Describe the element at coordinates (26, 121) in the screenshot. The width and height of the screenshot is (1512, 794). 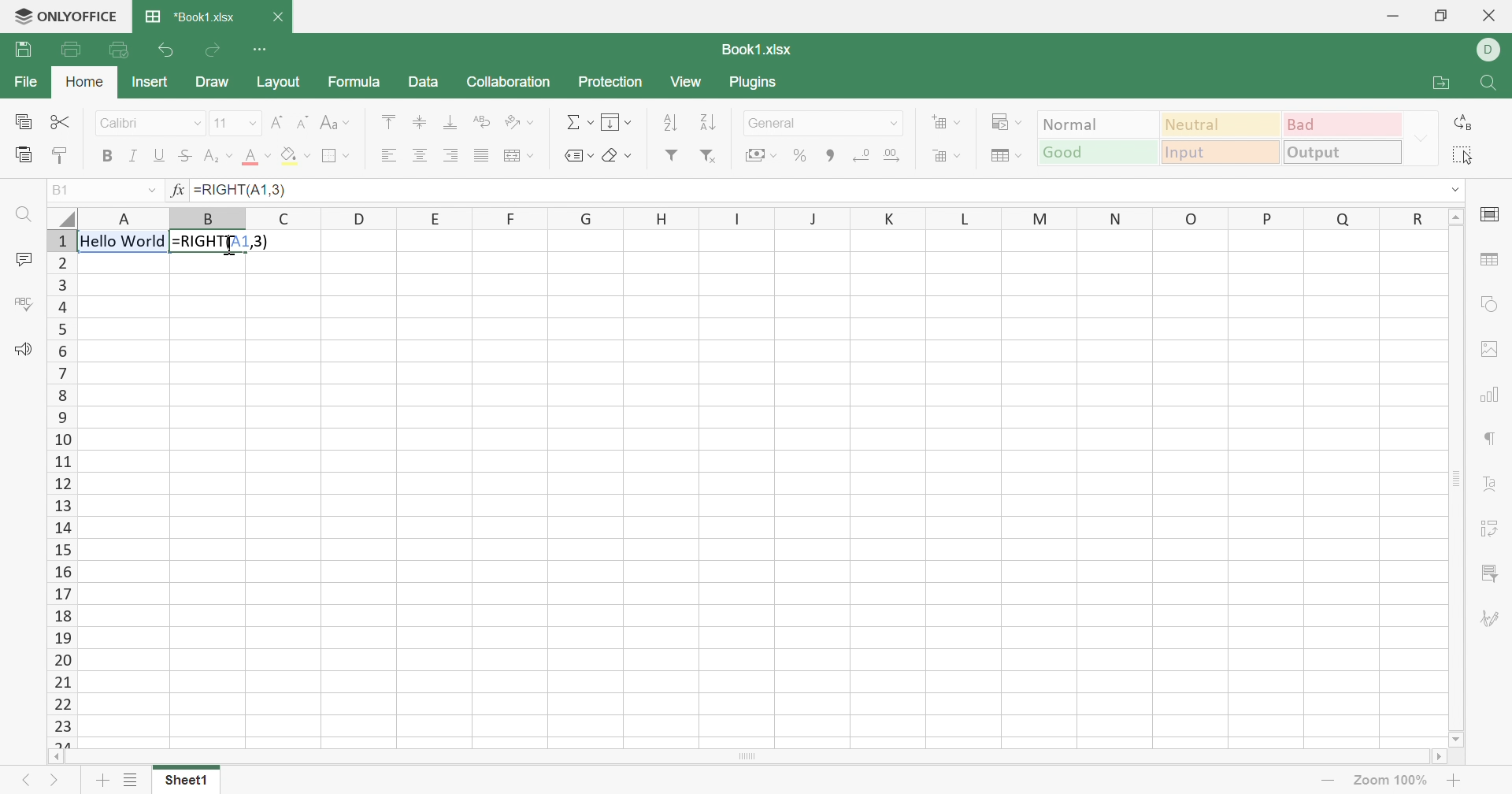
I see `Copy` at that location.